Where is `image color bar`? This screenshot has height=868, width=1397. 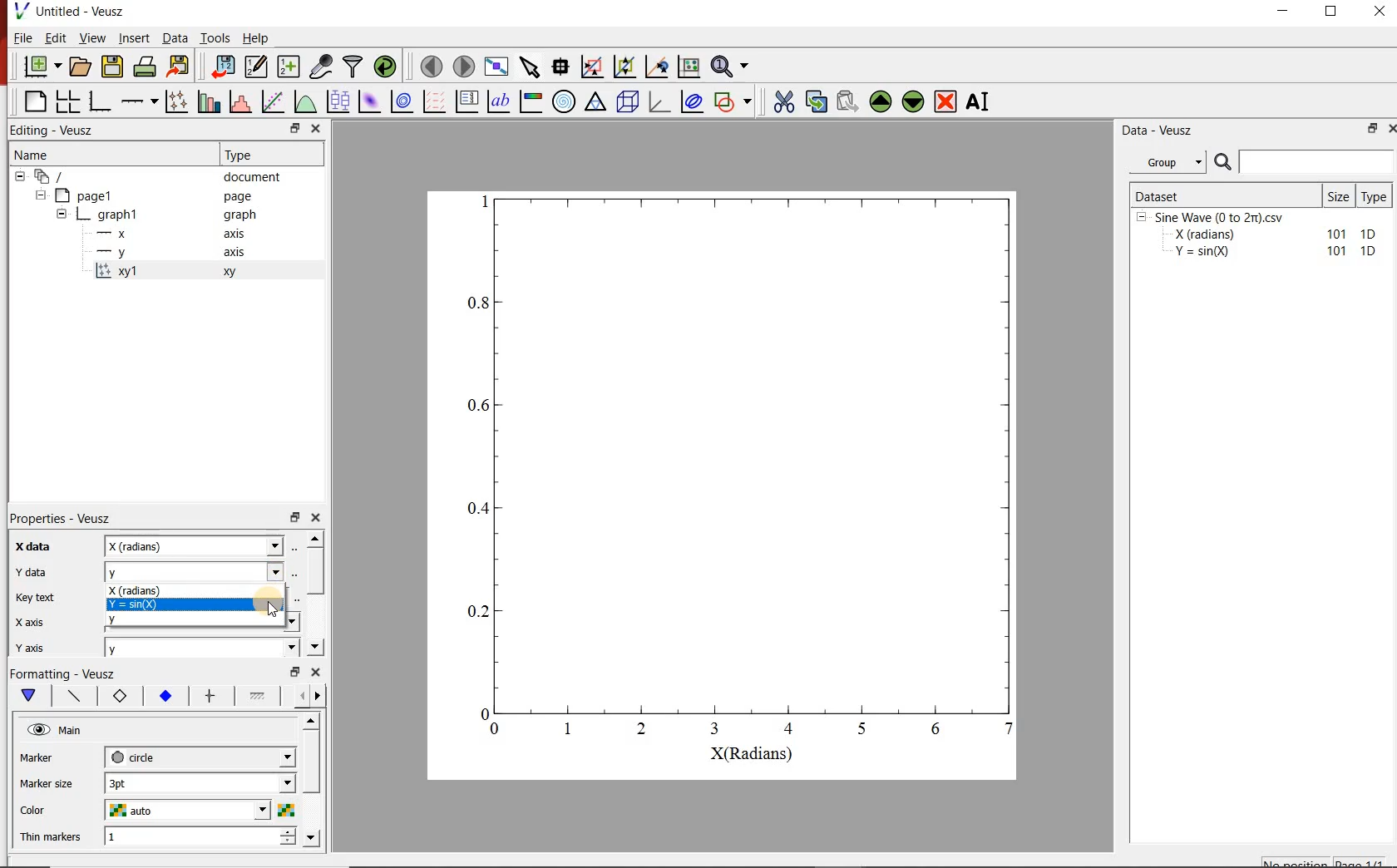
image color bar is located at coordinates (531, 101).